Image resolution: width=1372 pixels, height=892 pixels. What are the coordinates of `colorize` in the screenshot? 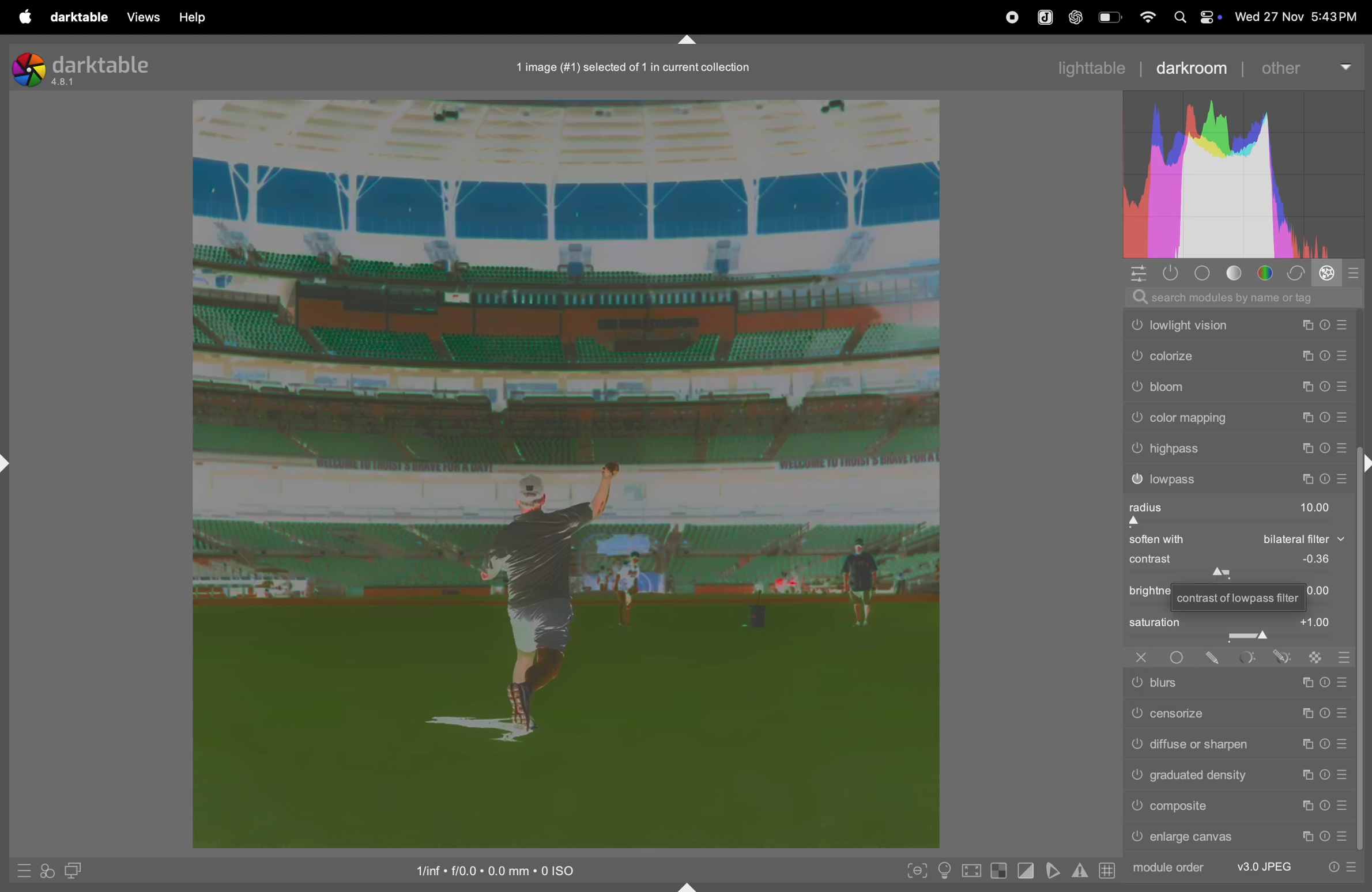 It's located at (1237, 358).